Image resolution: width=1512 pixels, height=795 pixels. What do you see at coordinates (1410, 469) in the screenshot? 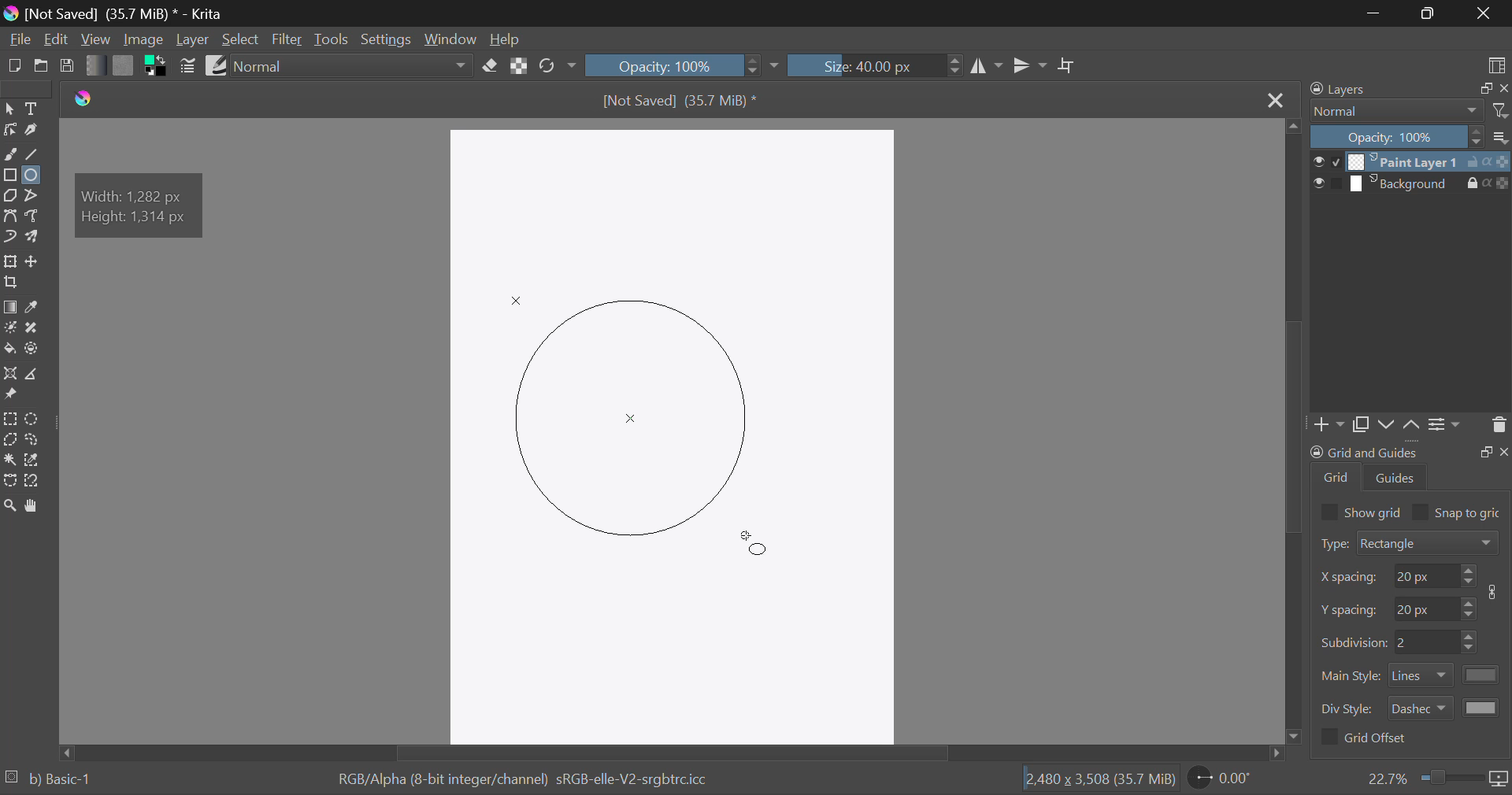
I see `Grid and Guides Docker Tab` at bounding box center [1410, 469].